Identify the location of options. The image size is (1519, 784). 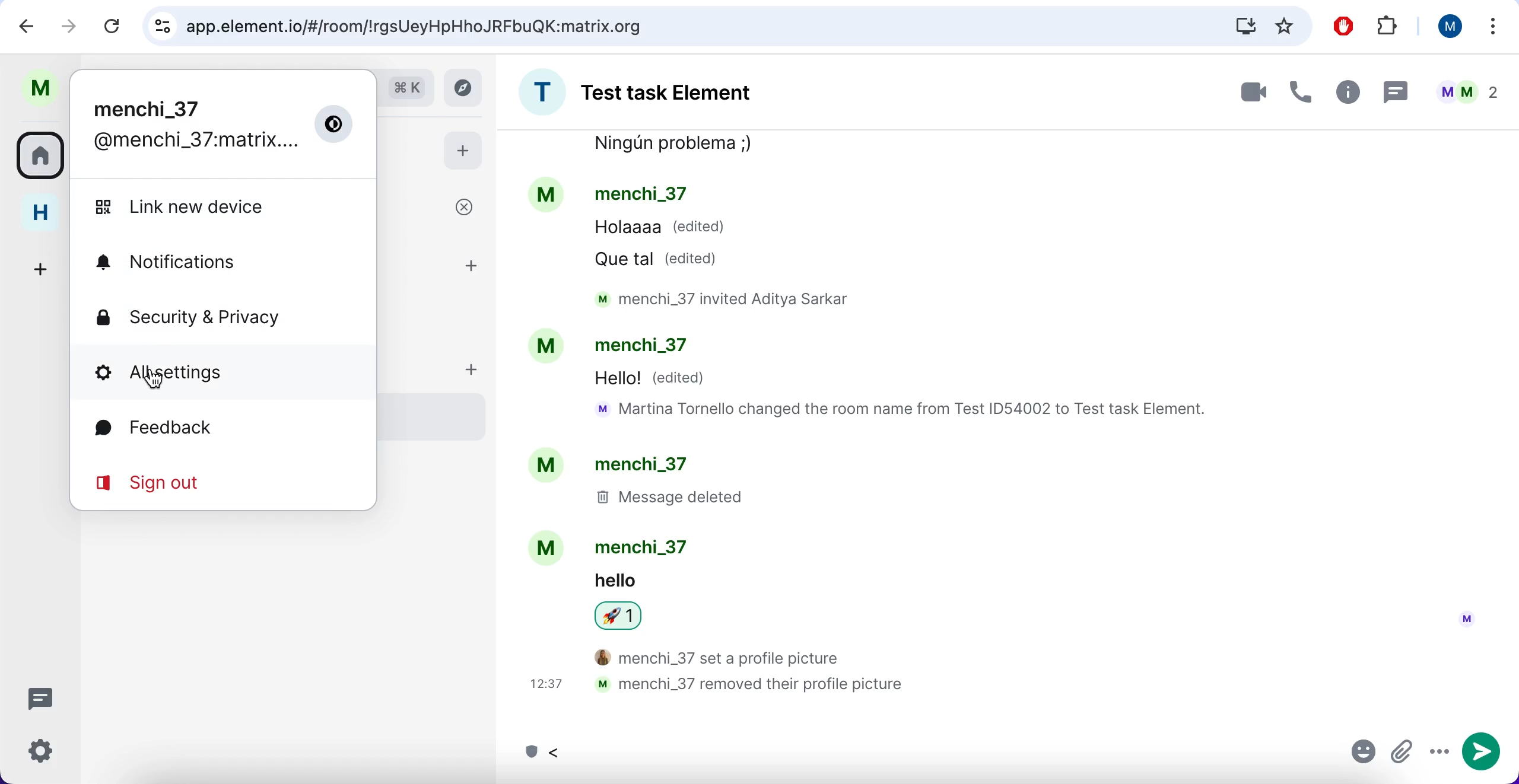
(1438, 755).